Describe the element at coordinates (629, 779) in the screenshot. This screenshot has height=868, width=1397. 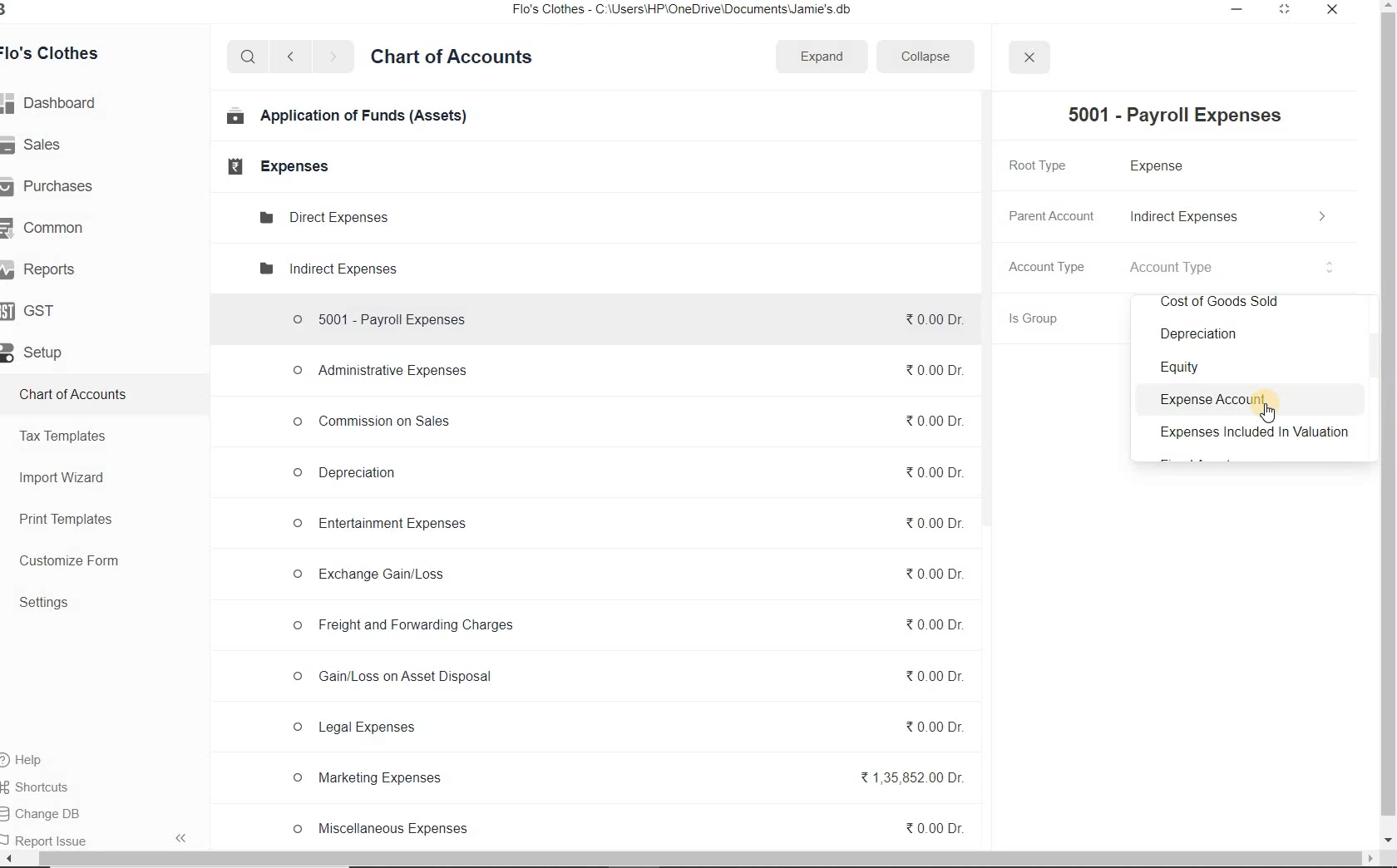
I see `© Marketing Expenses %1,35,852.00 Dr.` at that location.